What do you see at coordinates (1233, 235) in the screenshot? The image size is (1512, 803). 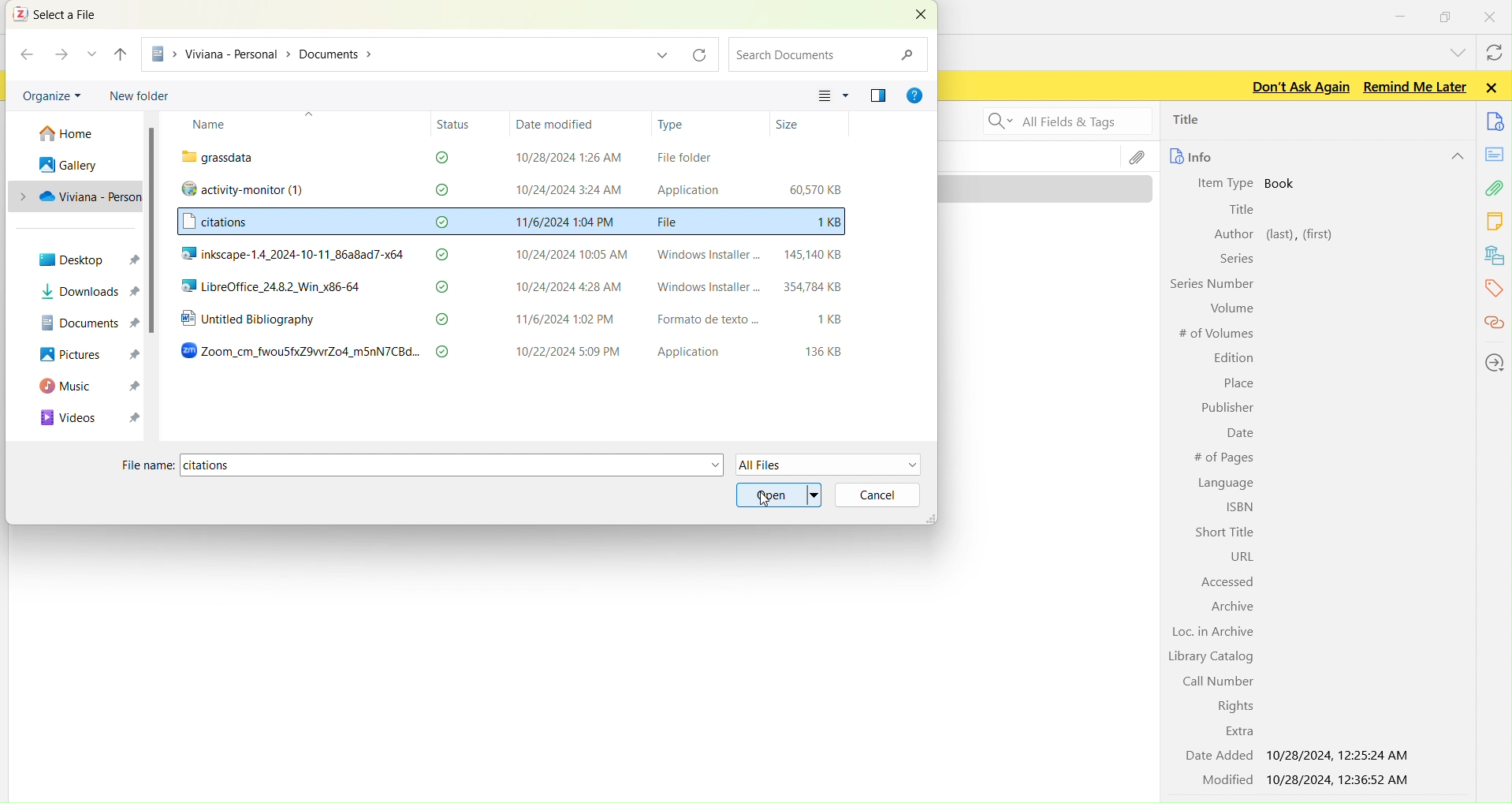 I see `Author` at bounding box center [1233, 235].